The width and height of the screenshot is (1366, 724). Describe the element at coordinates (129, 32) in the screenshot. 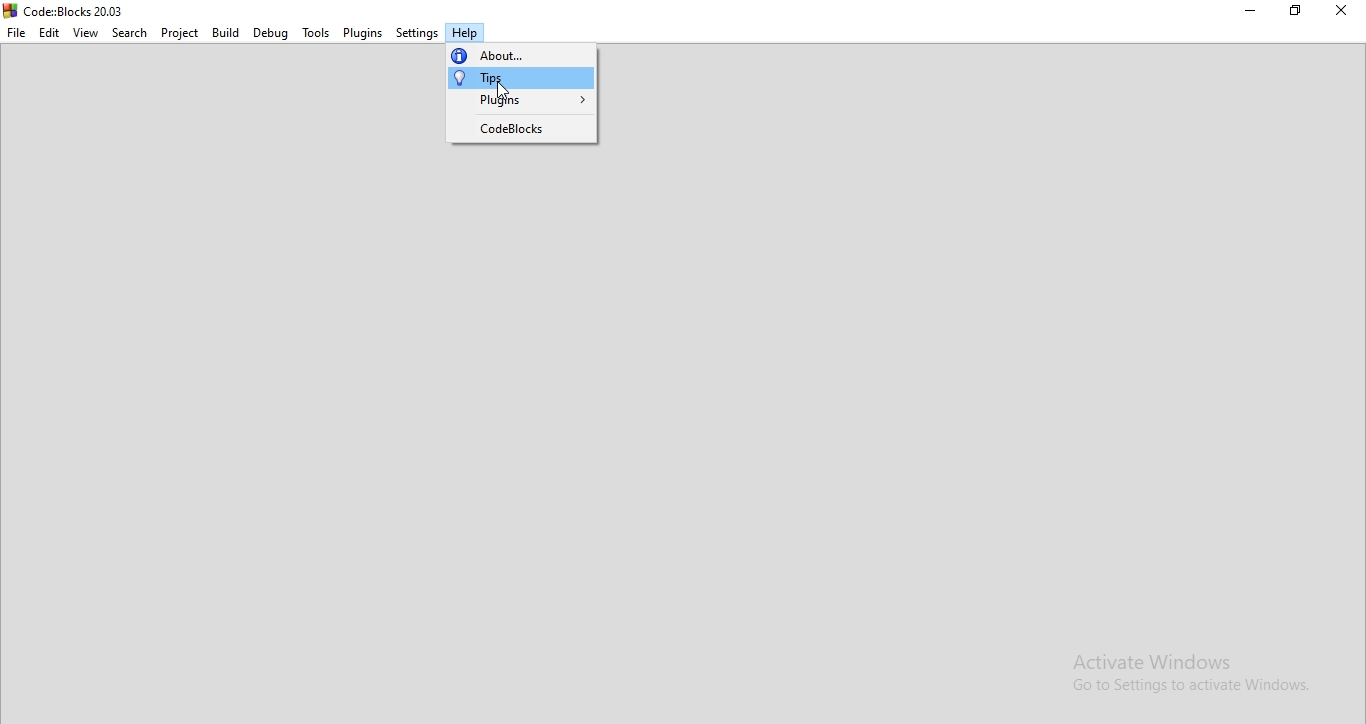

I see `Search ` at that location.